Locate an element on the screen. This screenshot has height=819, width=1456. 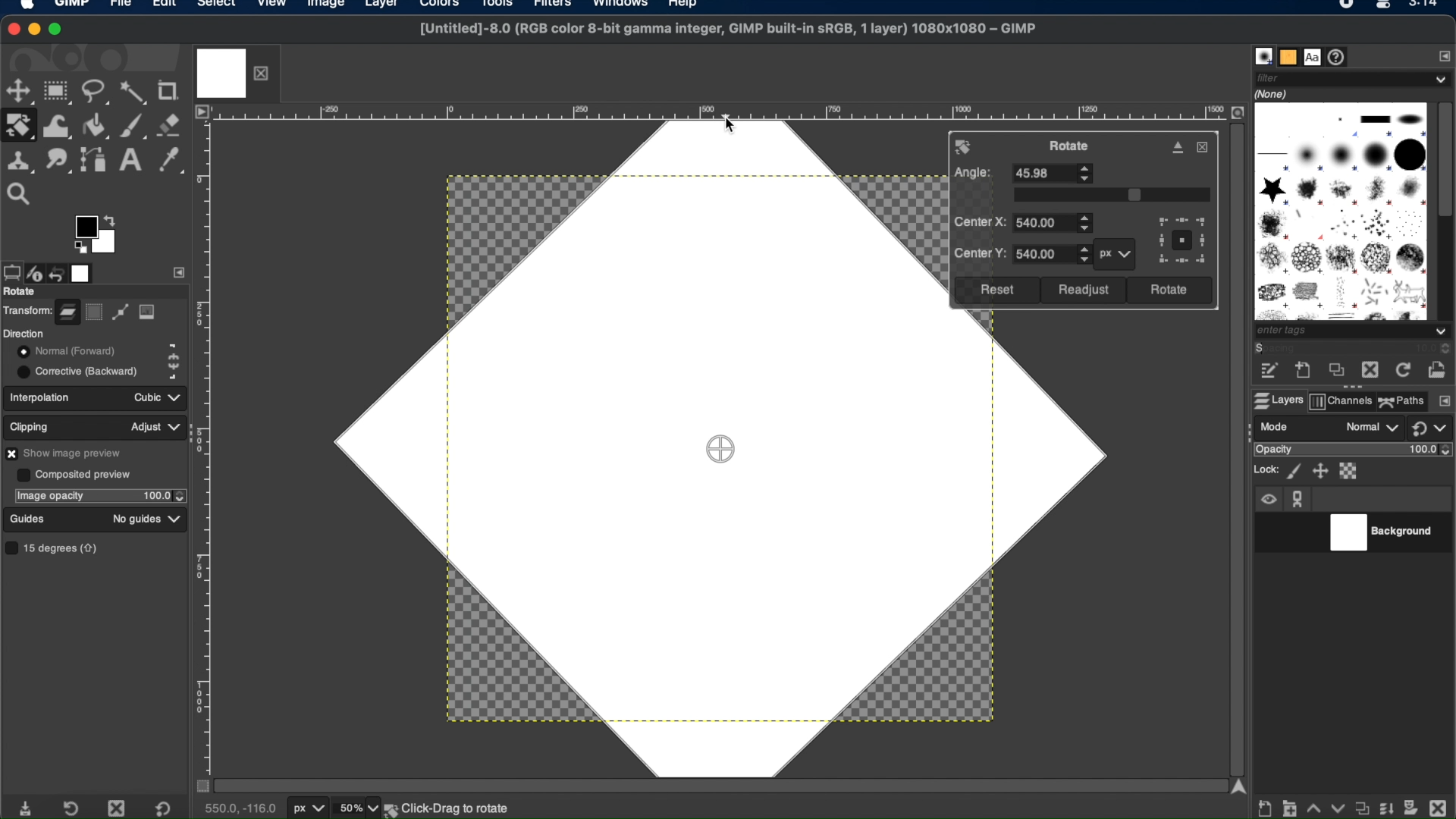
fonts is located at coordinates (1313, 56).